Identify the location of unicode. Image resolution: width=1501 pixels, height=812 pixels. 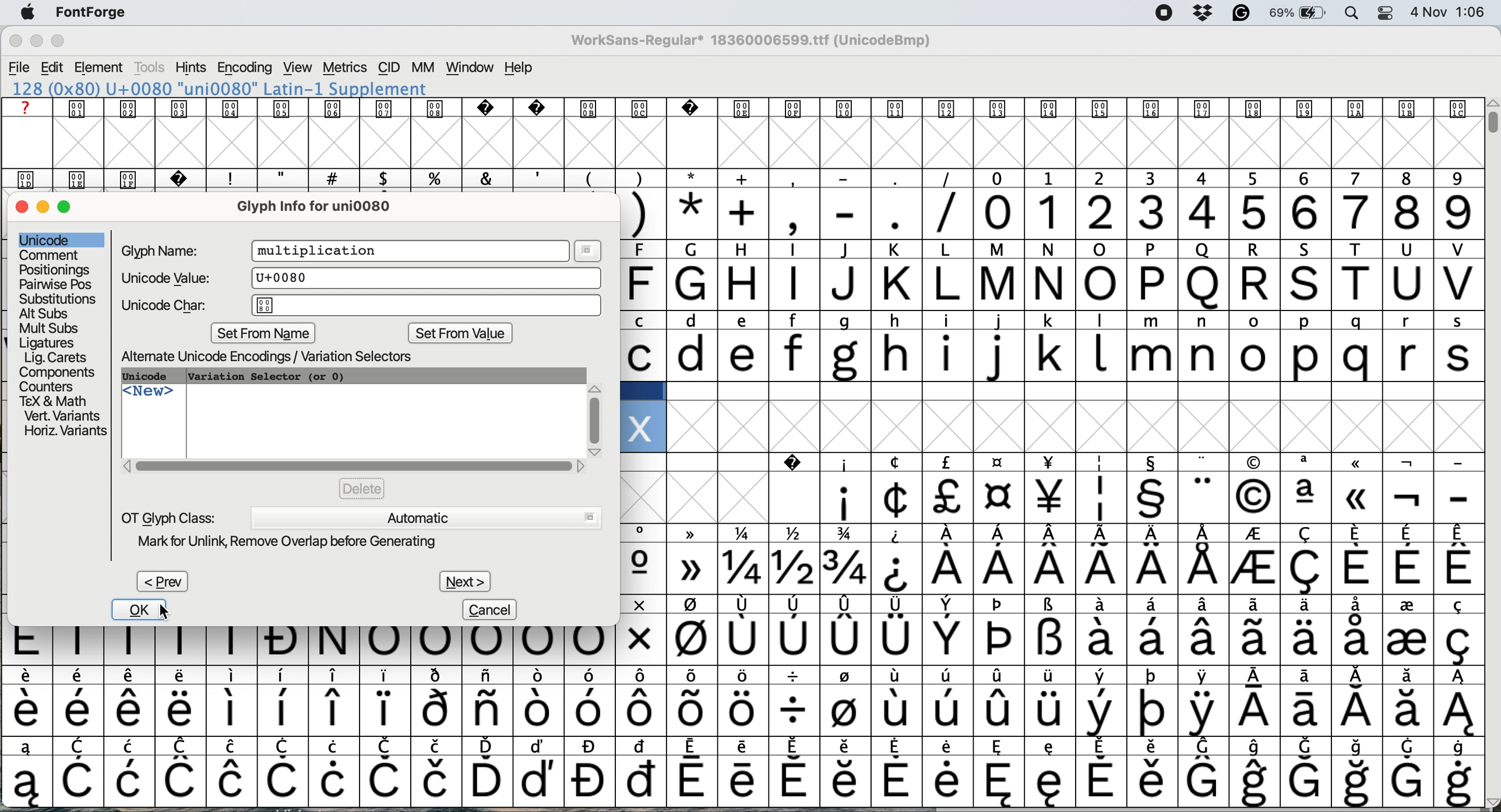
(152, 377).